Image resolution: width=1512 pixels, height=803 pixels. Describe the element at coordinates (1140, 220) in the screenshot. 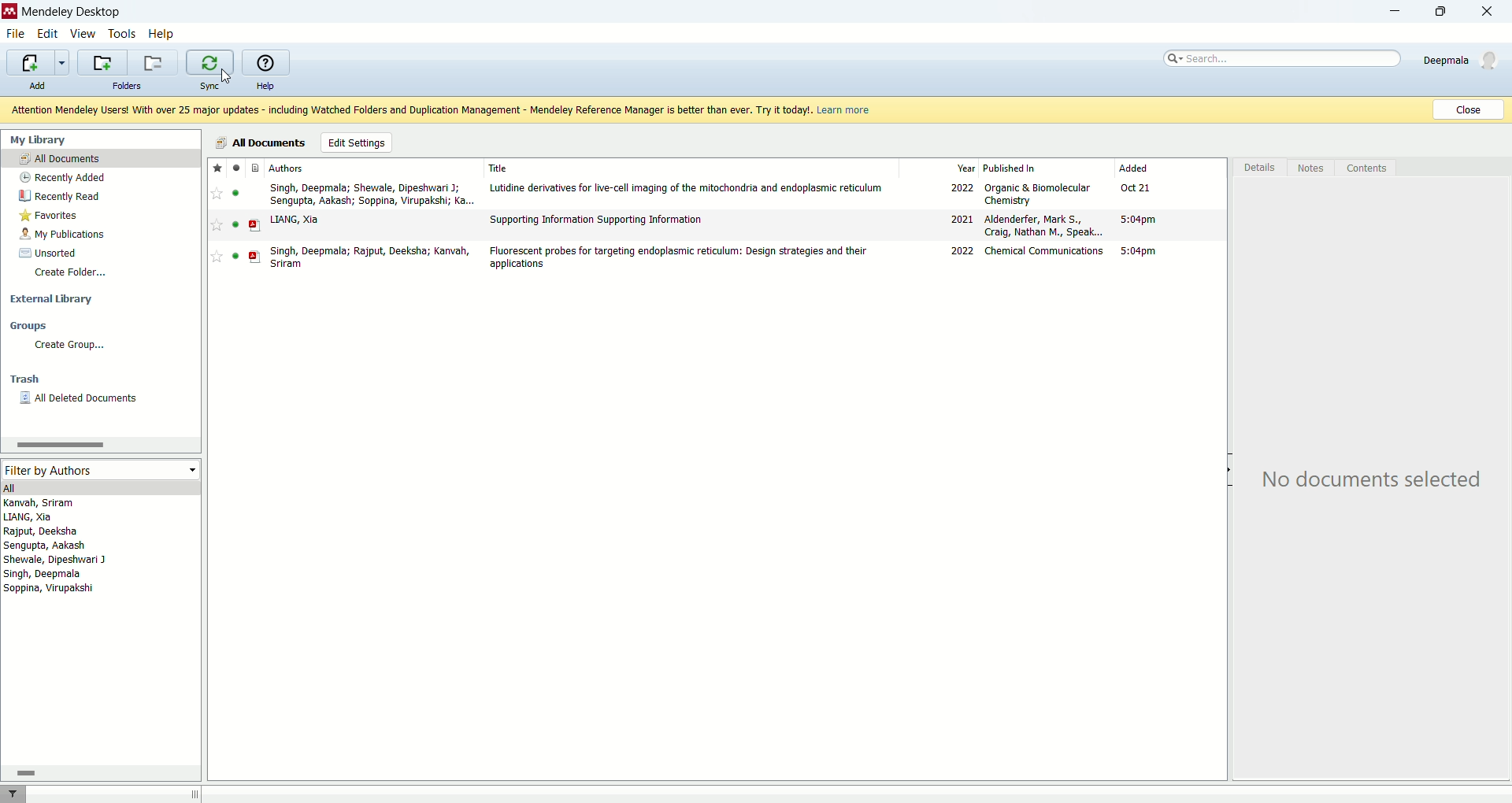

I see `5:04pm` at that location.